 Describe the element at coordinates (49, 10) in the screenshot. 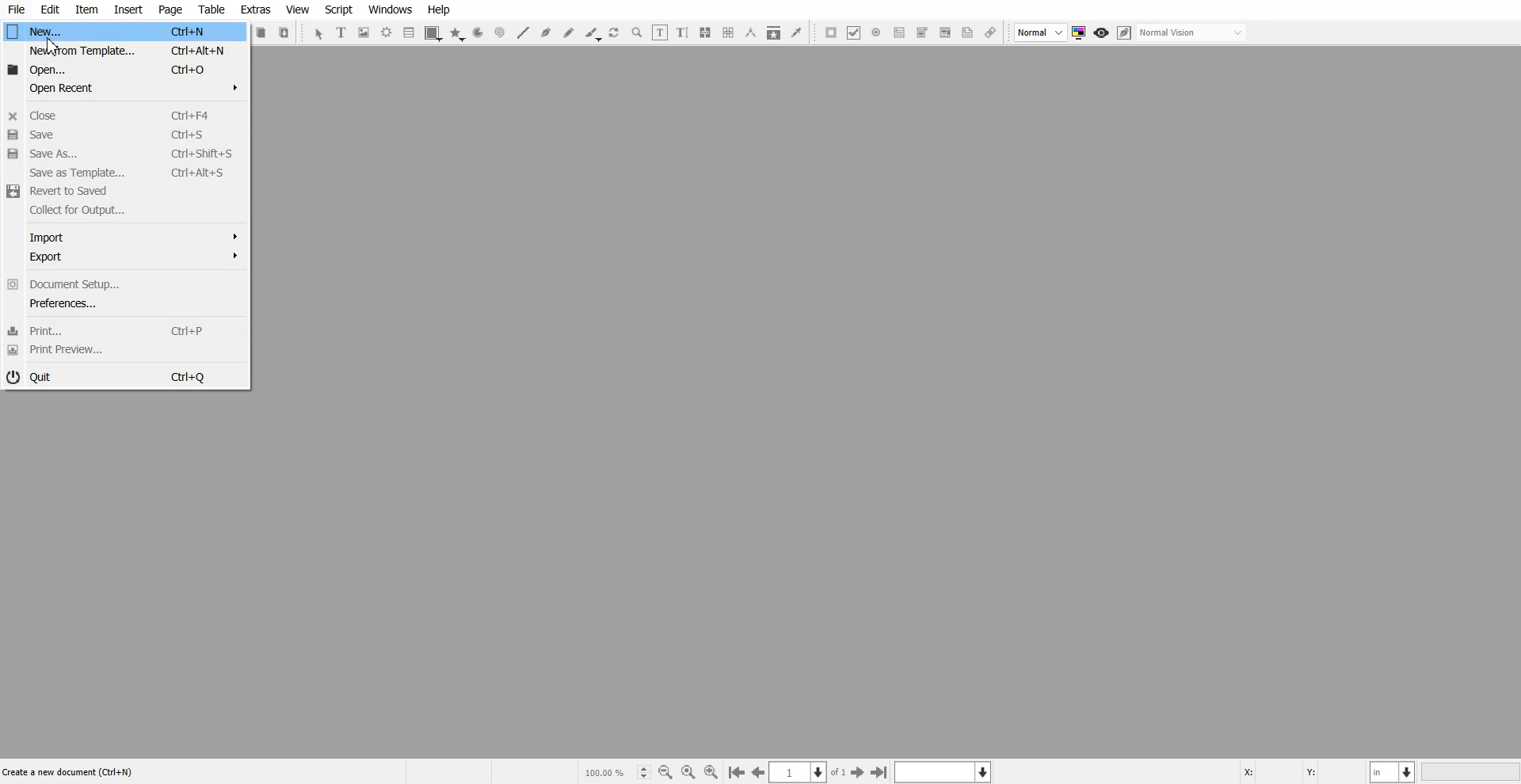

I see `Edit` at that location.